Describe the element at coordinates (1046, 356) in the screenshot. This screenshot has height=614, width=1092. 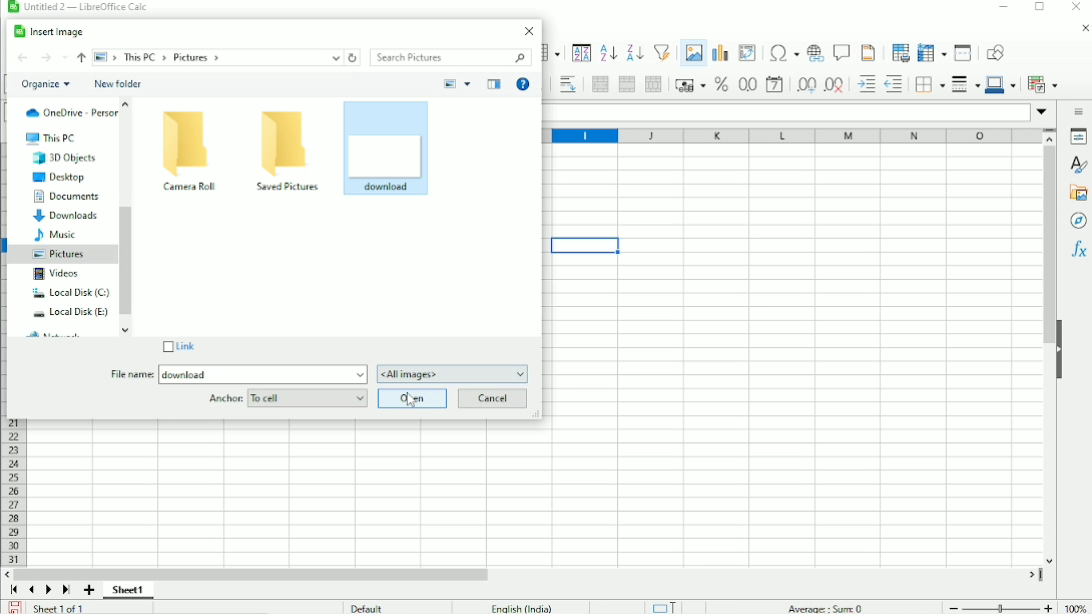
I see `Vertical scrollbar` at that location.